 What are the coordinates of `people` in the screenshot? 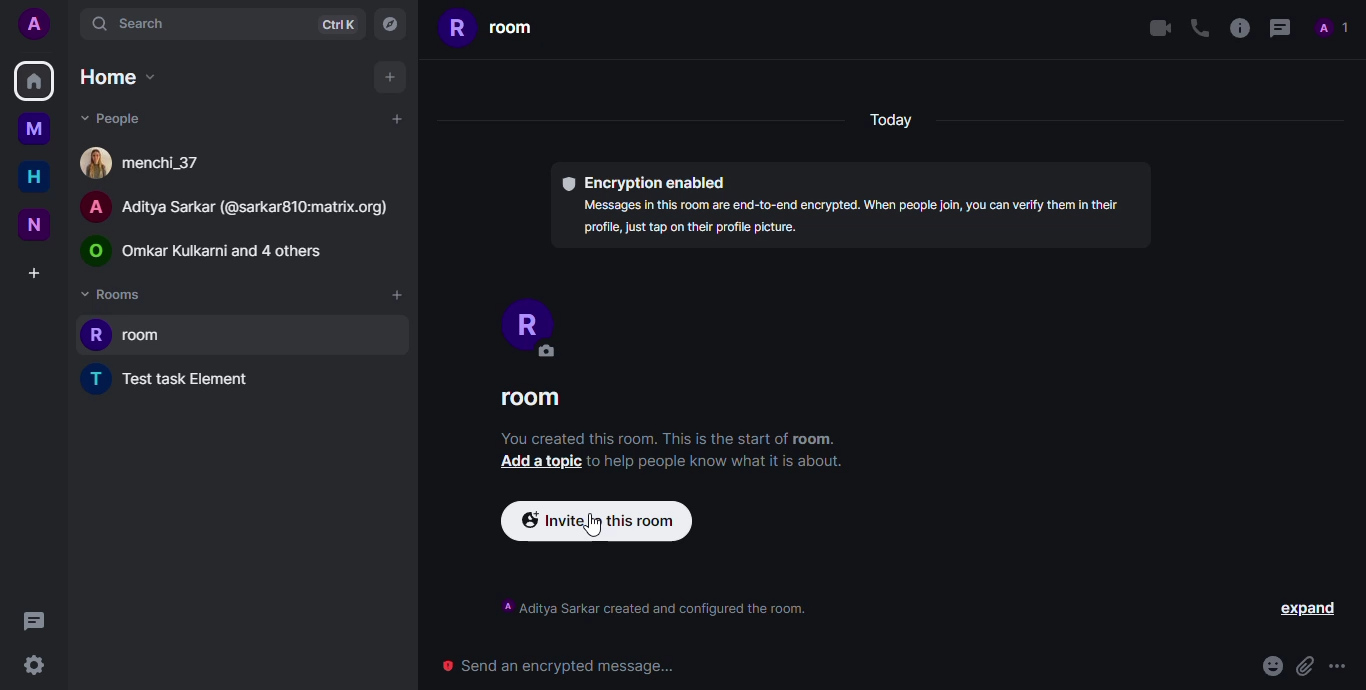 It's located at (1331, 26).